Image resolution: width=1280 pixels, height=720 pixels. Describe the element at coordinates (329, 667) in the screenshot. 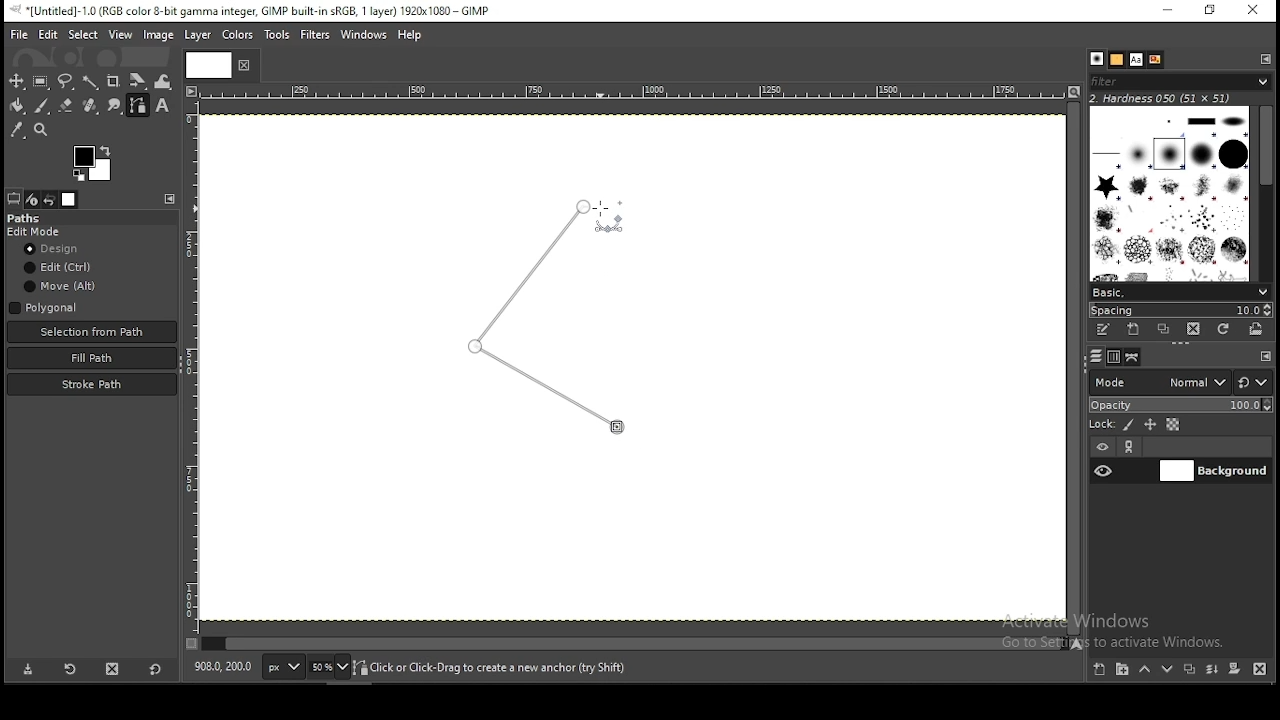

I see `zoom status` at that location.